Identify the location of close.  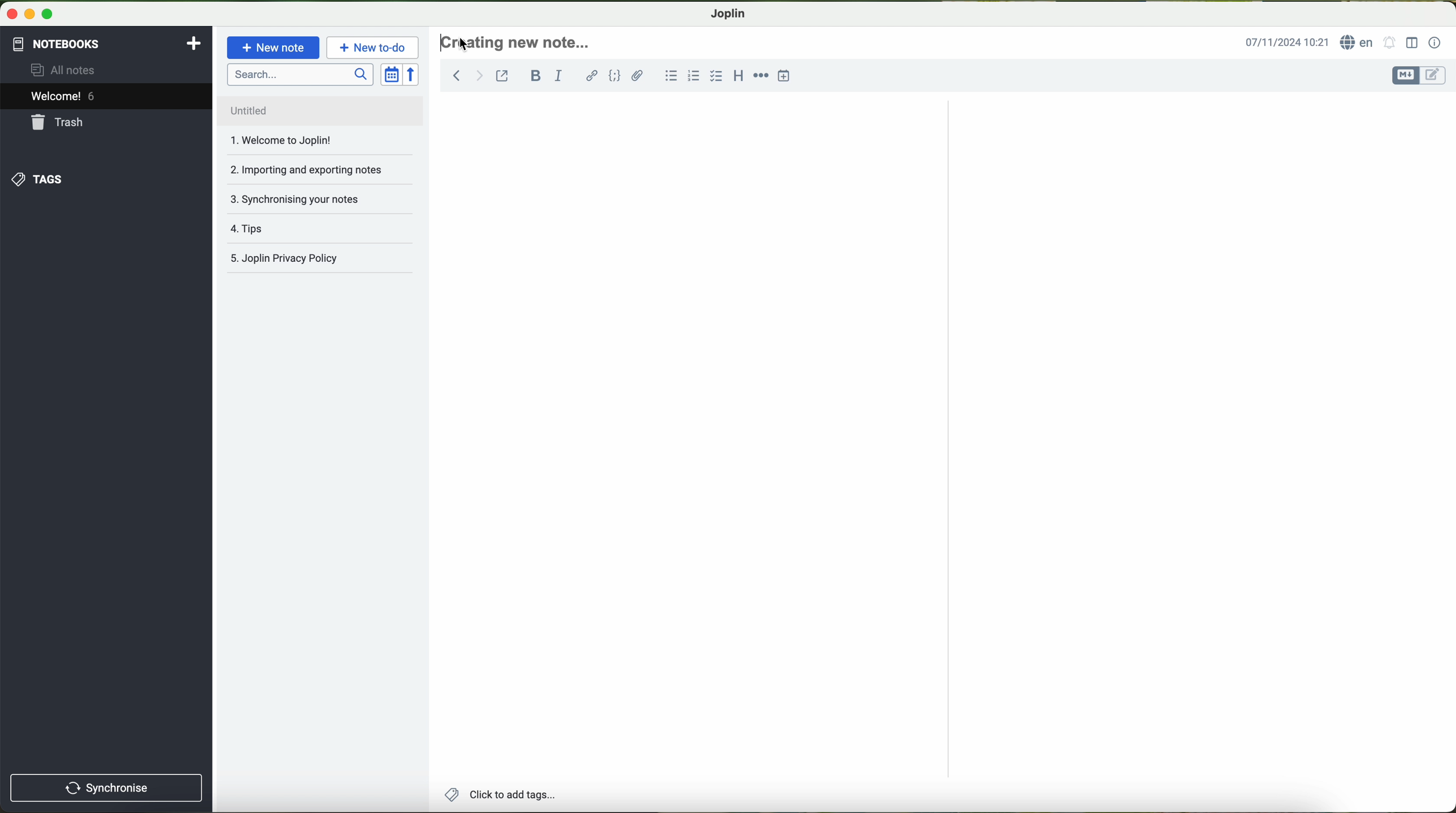
(9, 12).